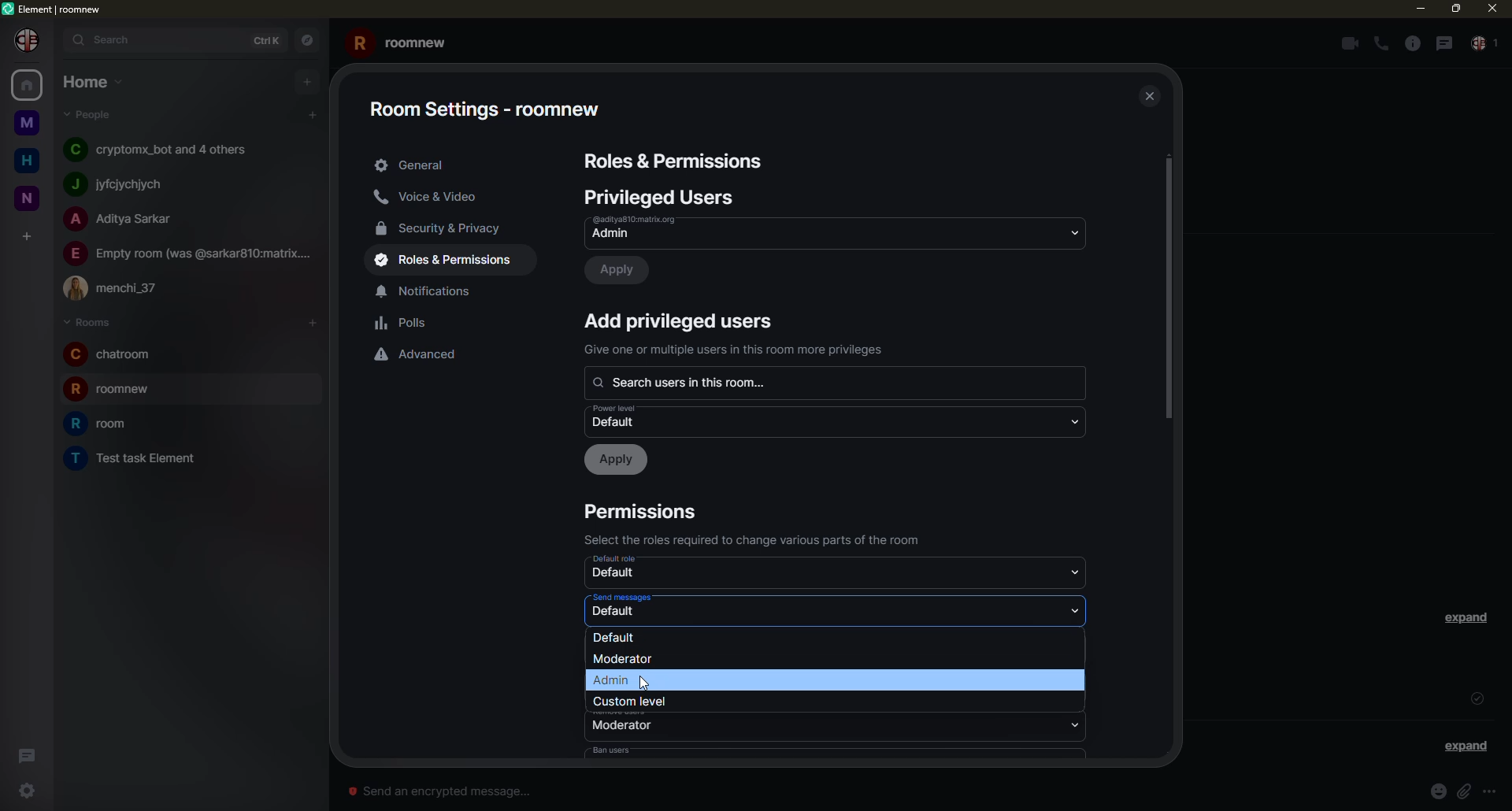 The image size is (1512, 811). Describe the element at coordinates (447, 228) in the screenshot. I see `security` at that location.